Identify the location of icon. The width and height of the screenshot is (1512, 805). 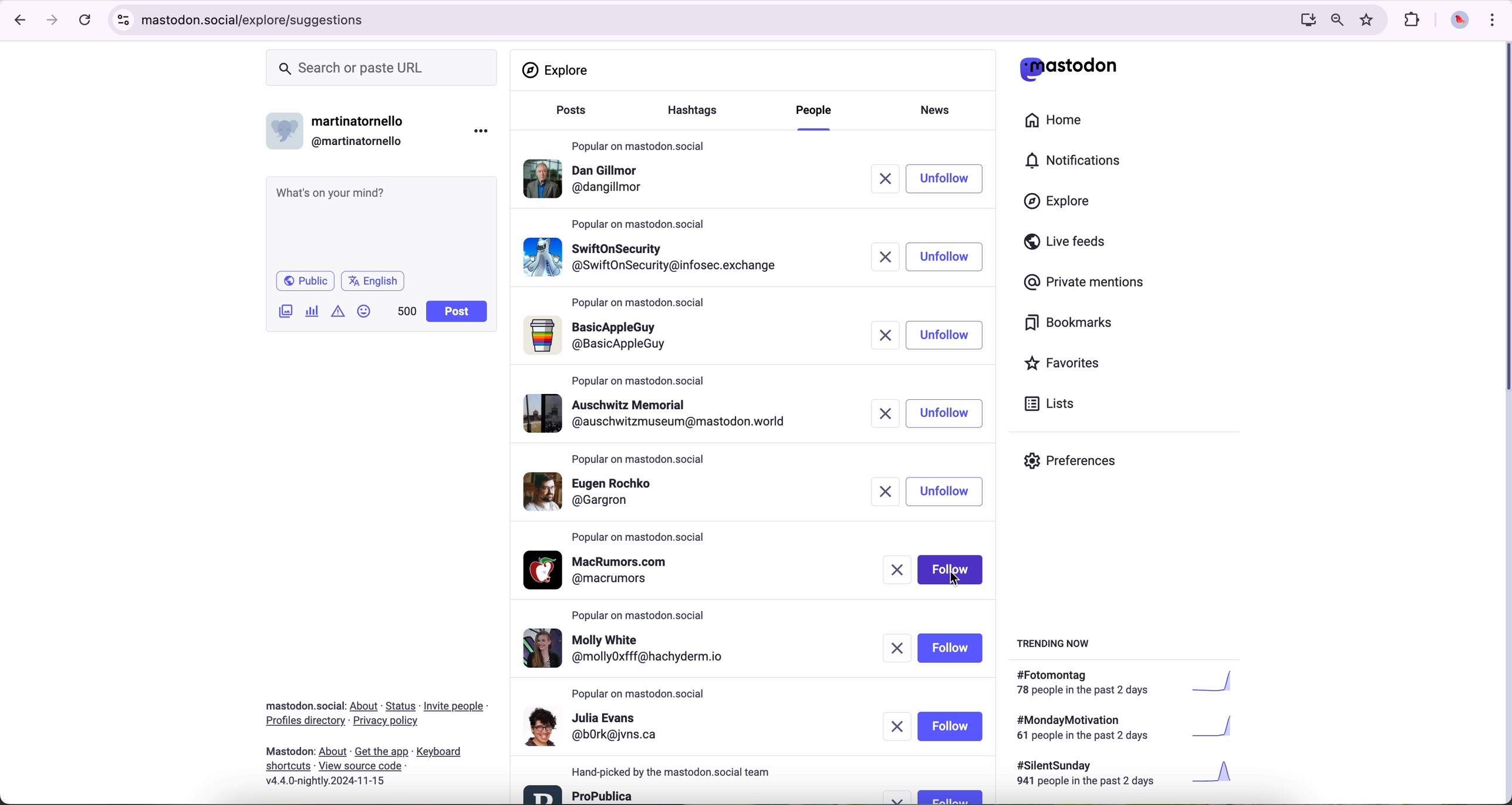
(339, 311).